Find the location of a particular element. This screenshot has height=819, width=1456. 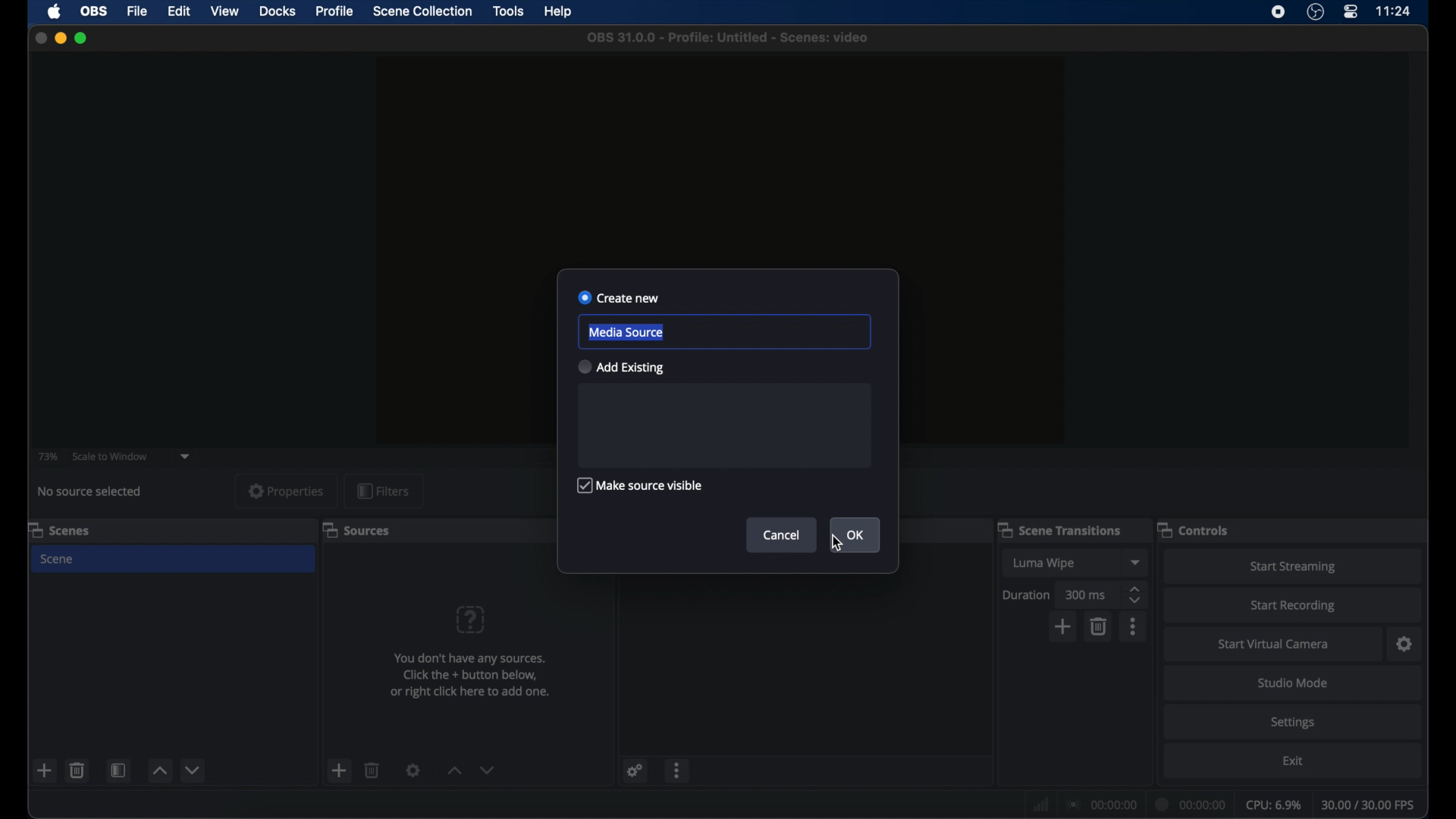

apple icon is located at coordinates (54, 12).